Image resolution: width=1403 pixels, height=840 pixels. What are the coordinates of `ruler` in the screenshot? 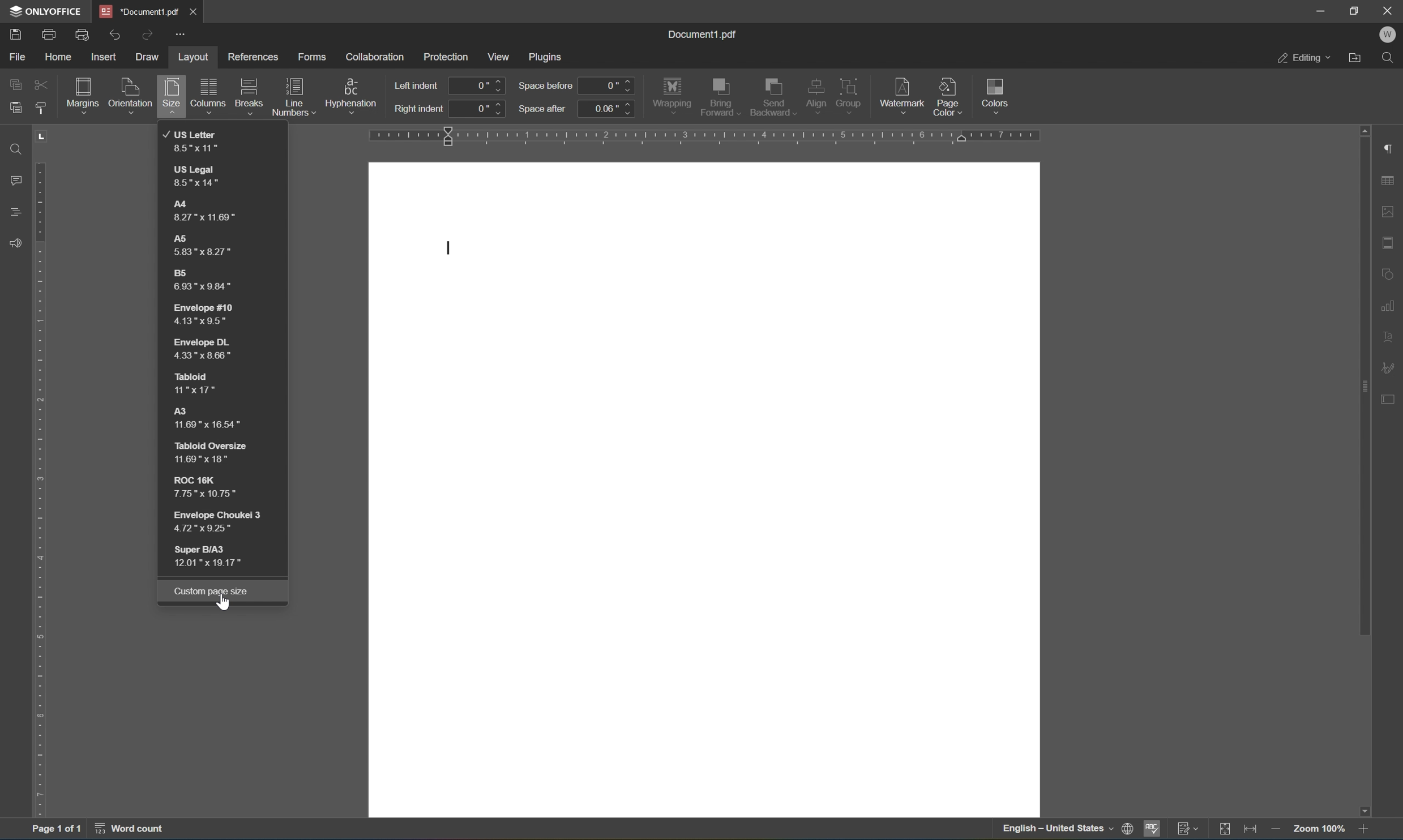 It's located at (40, 472).